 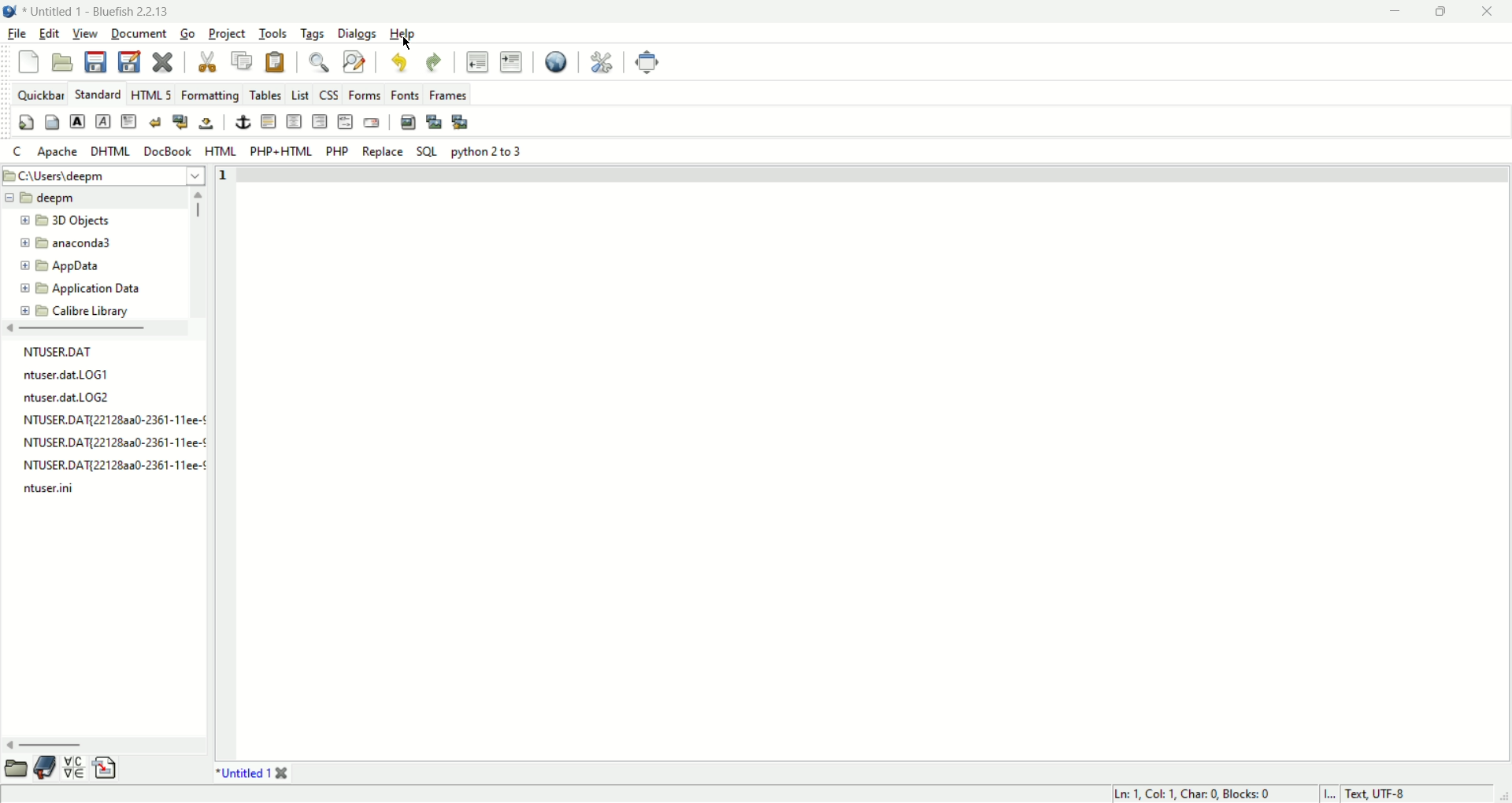 I want to click on file name, so click(x=70, y=398).